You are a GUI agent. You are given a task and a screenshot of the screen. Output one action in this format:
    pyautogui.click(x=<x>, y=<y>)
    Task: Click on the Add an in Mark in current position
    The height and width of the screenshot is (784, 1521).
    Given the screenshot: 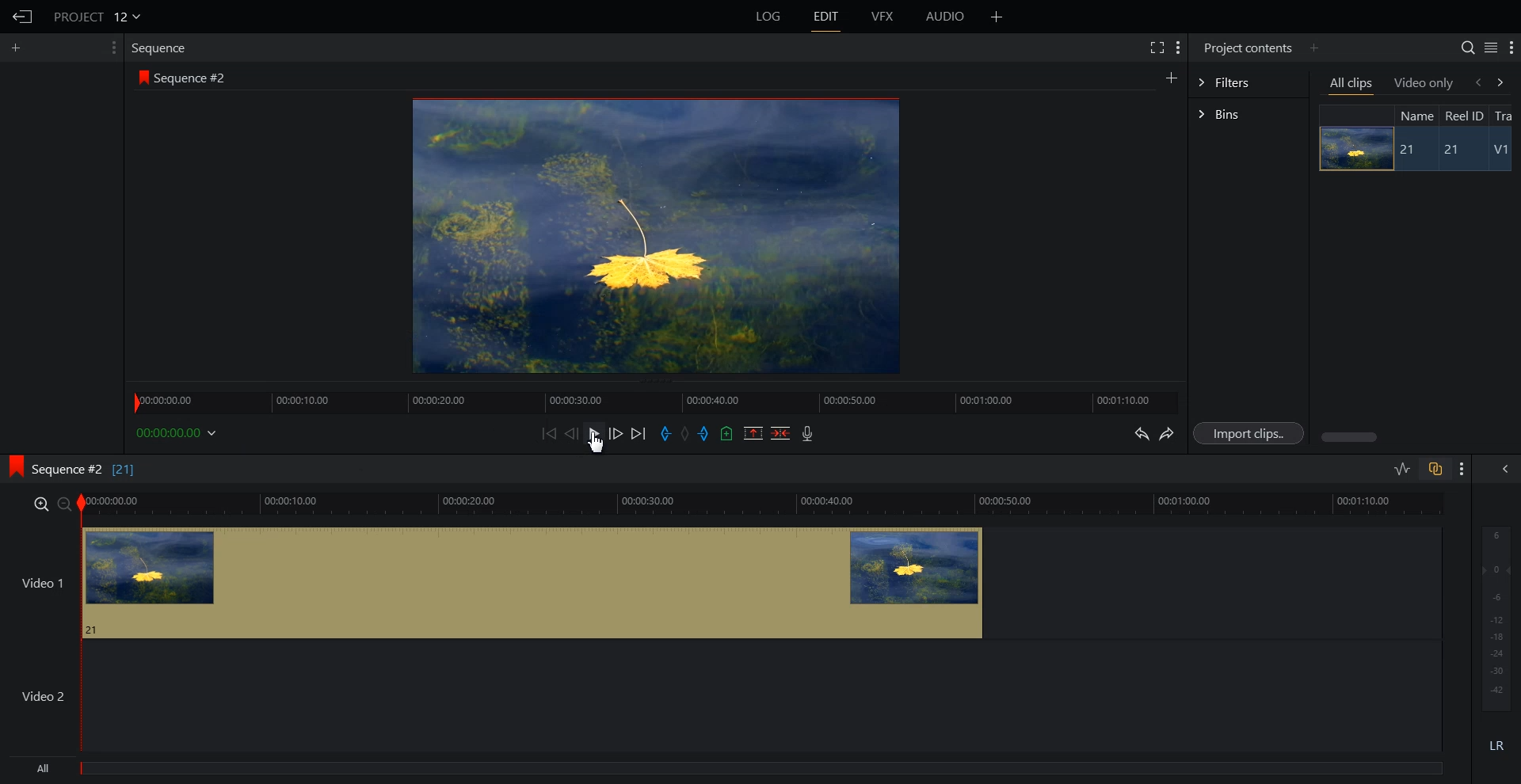 What is the action you would take?
    pyautogui.click(x=664, y=434)
    